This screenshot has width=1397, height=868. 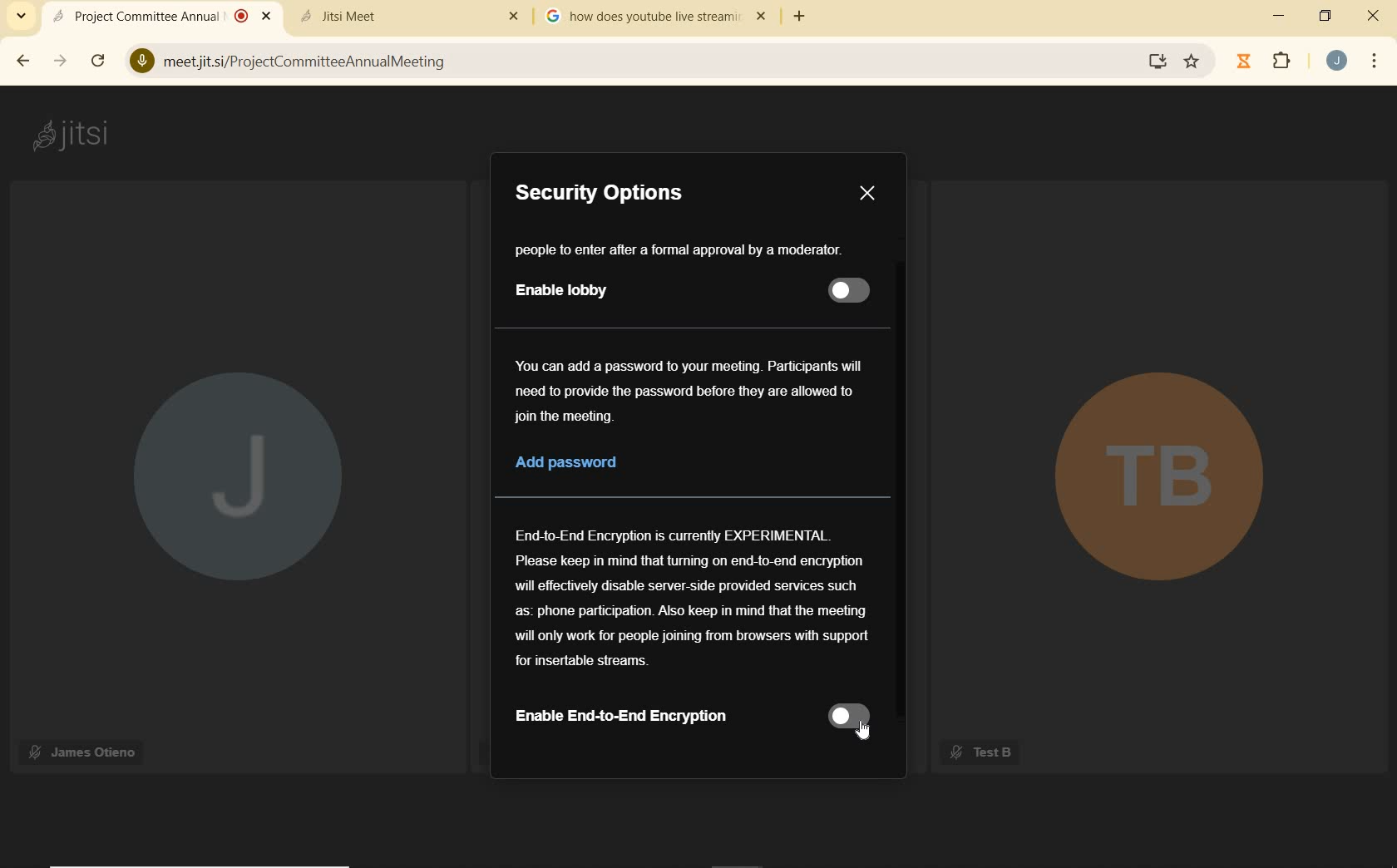 What do you see at coordinates (980, 752) in the screenshot?
I see `Test B` at bounding box center [980, 752].